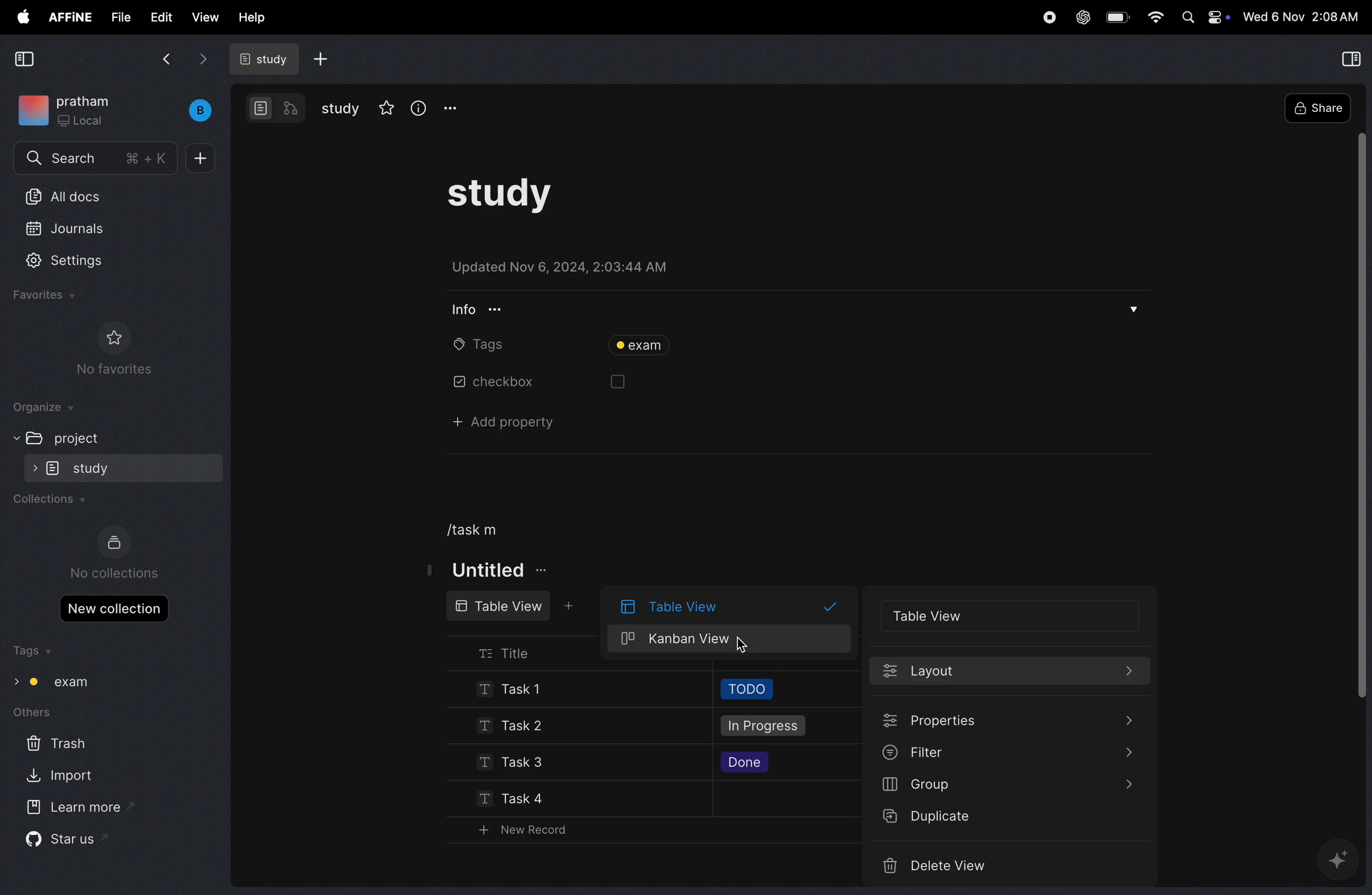 Image resolution: width=1372 pixels, height=895 pixels. I want to click on study doc, so click(269, 60).